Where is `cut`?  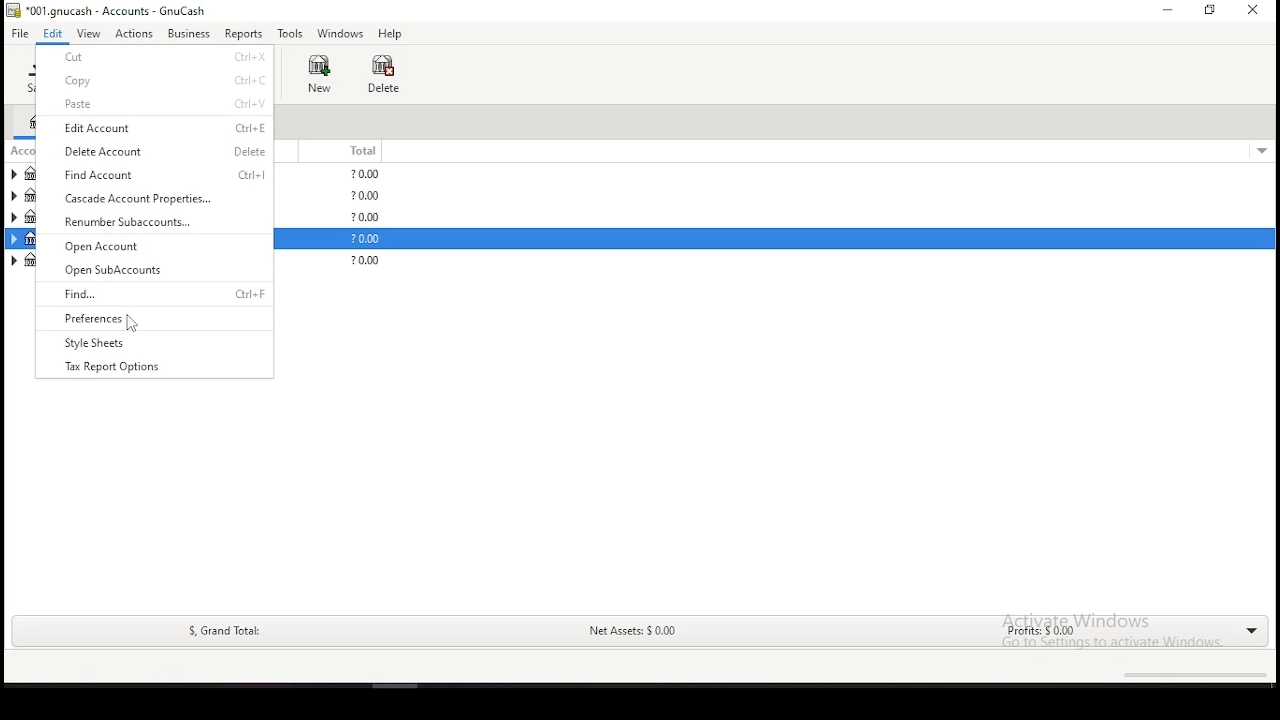 cut is located at coordinates (163, 57).